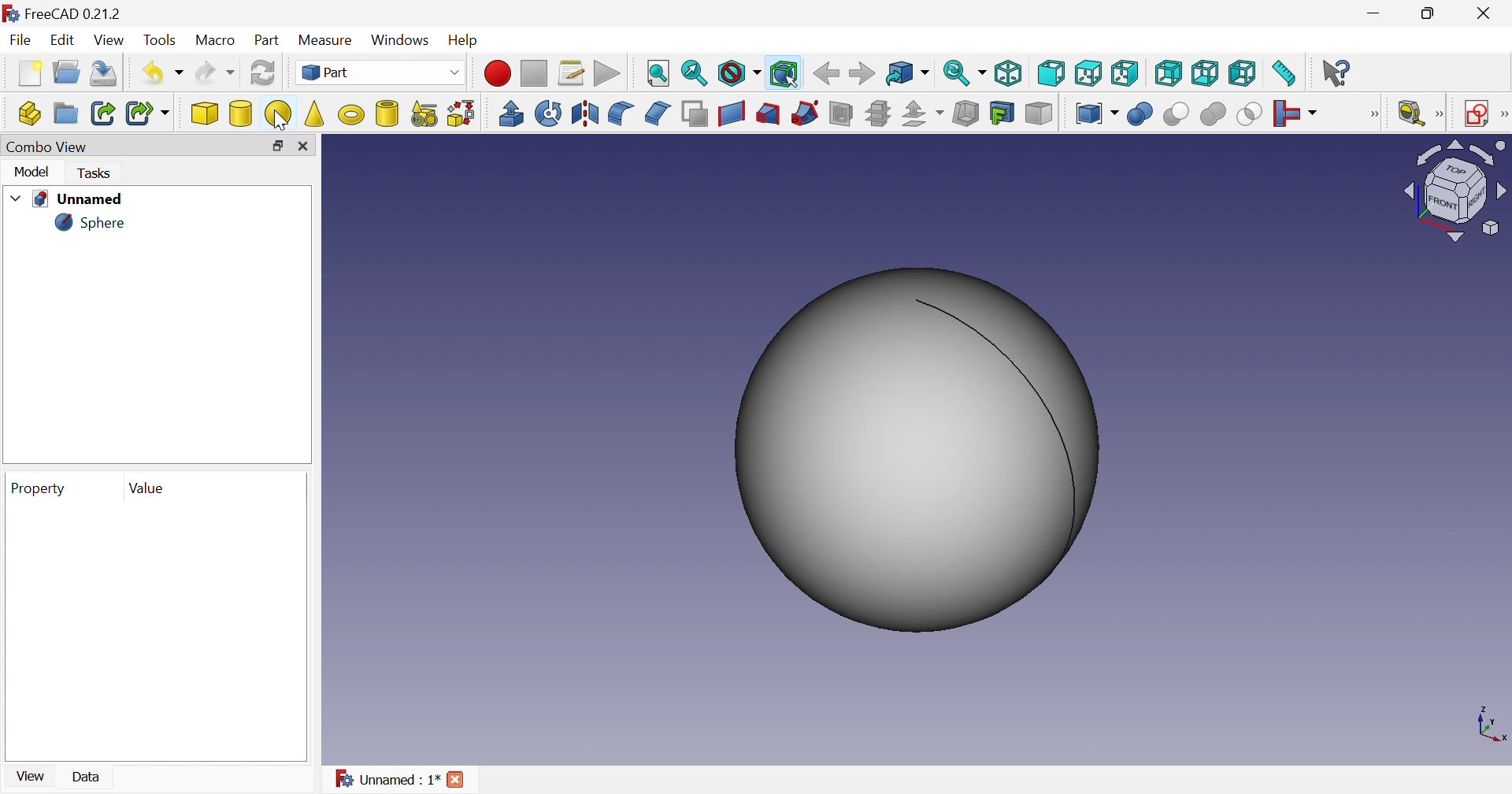  What do you see at coordinates (465, 40) in the screenshot?
I see `Help` at bounding box center [465, 40].